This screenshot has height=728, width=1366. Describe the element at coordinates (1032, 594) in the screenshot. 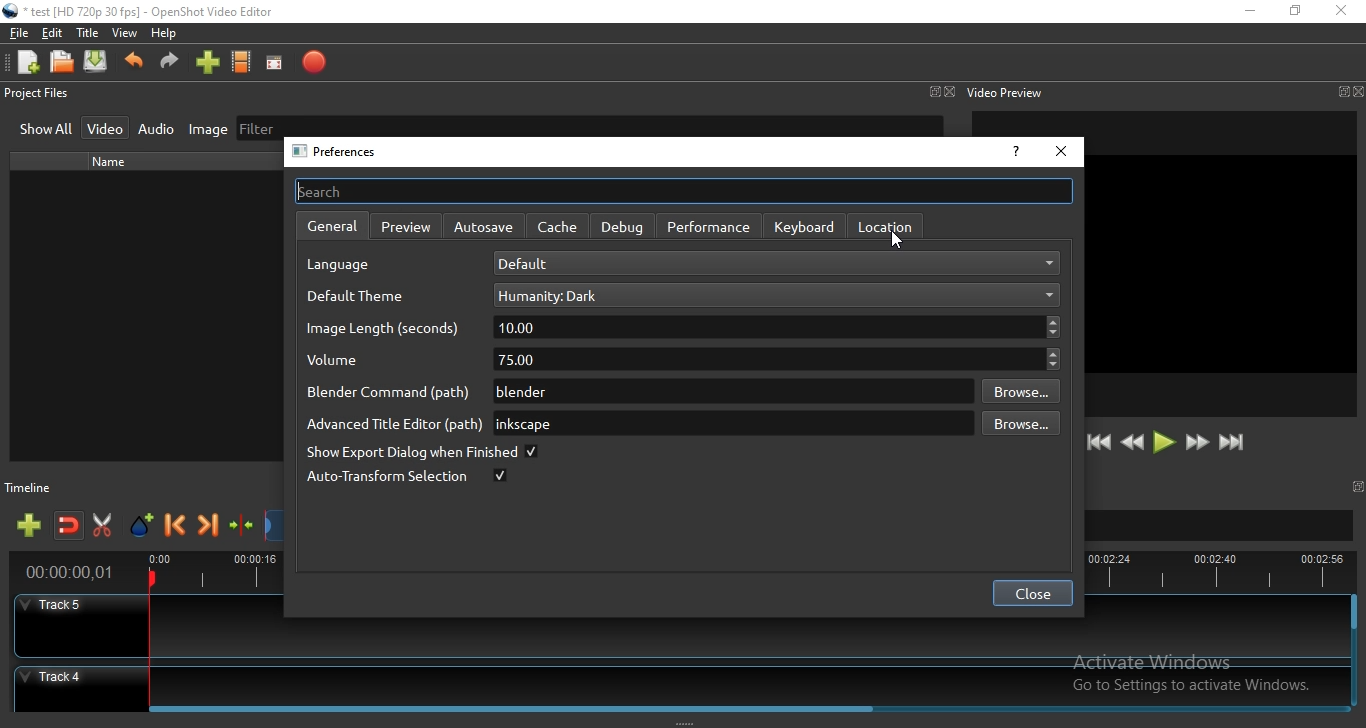

I see `close` at that location.